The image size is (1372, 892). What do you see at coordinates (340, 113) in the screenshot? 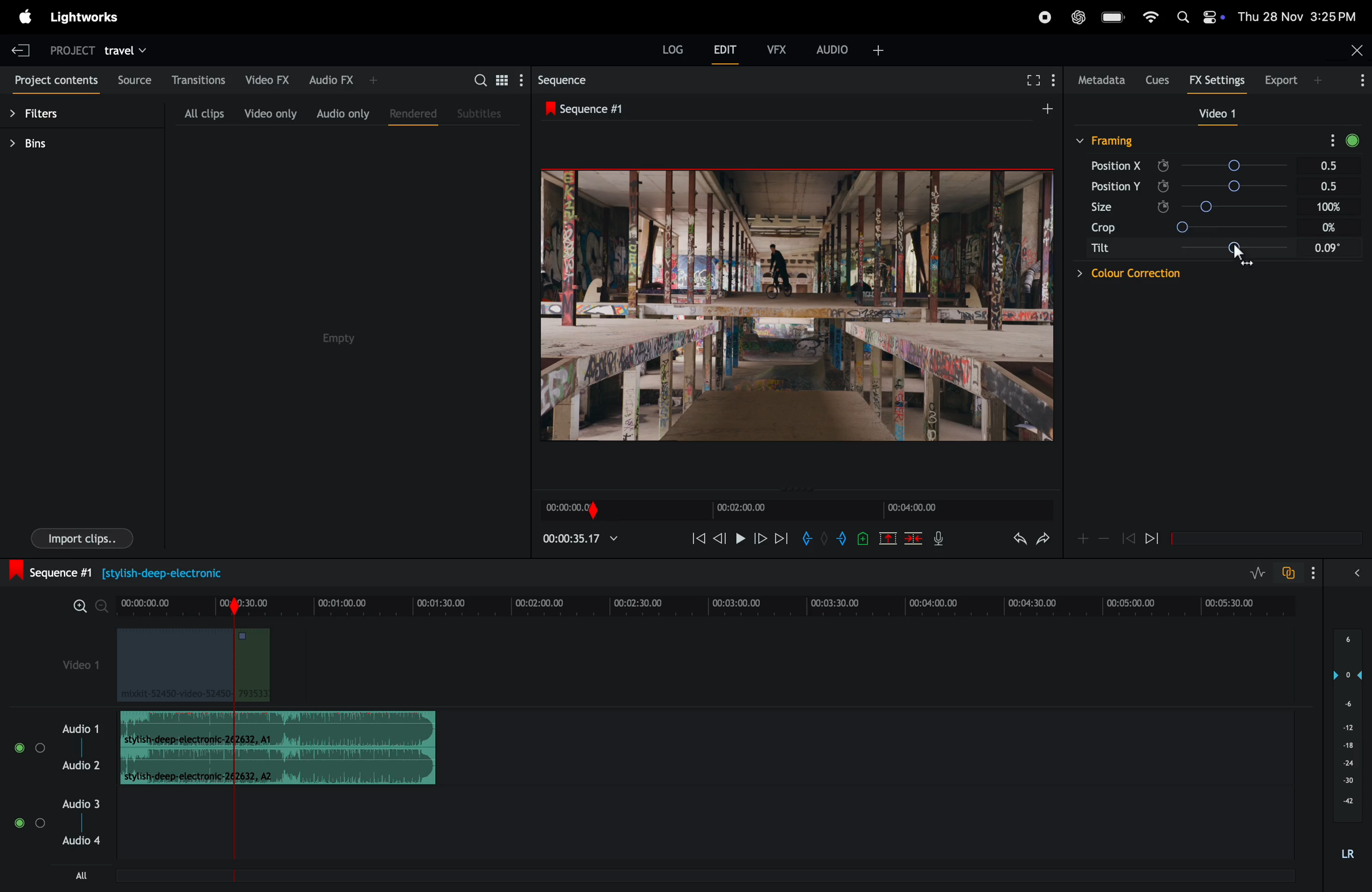
I see `audio only` at bounding box center [340, 113].